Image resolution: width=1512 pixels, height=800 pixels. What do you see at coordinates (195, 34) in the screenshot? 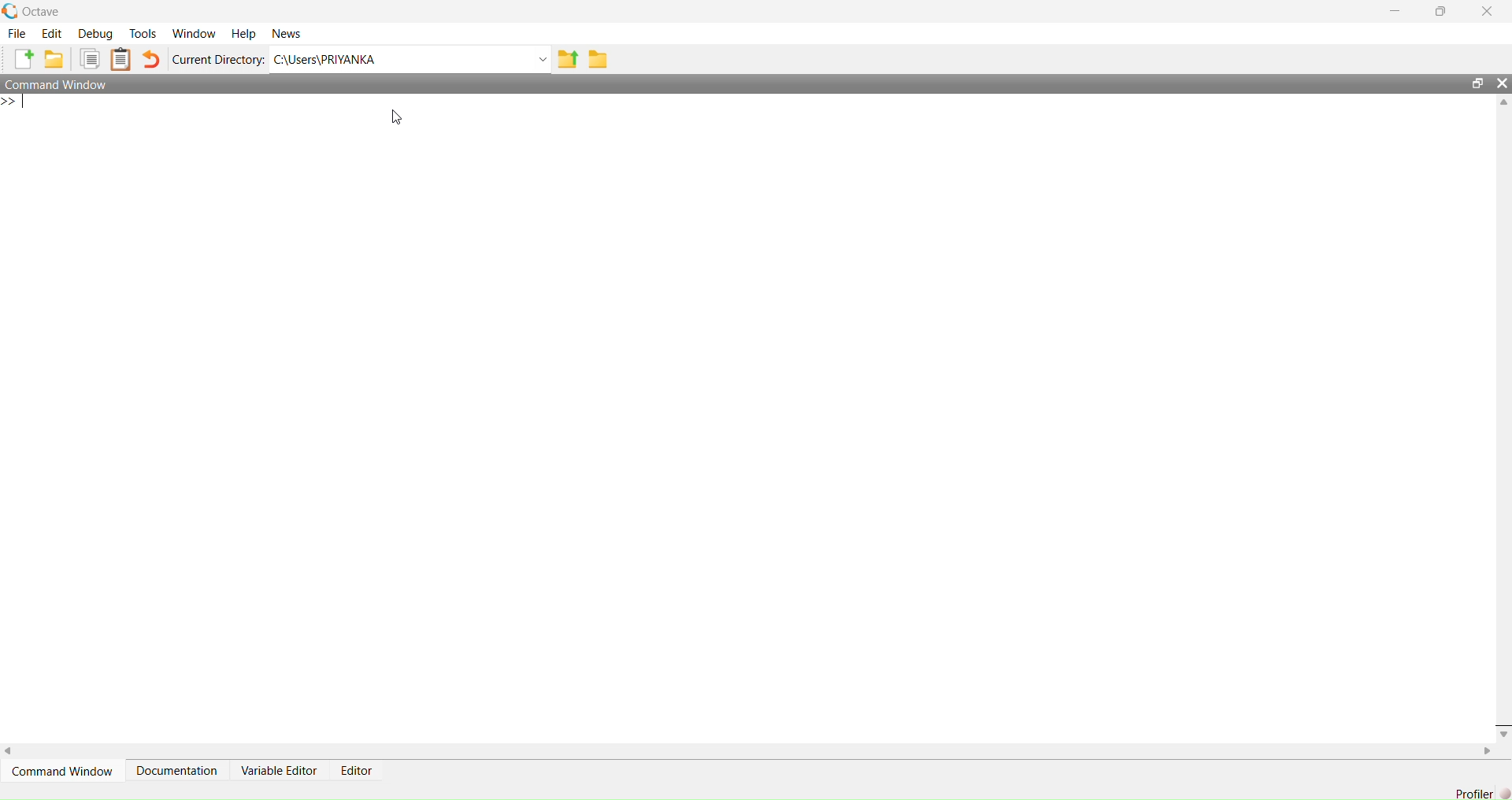
I see `Workflow` at bounding box center [195, 34].